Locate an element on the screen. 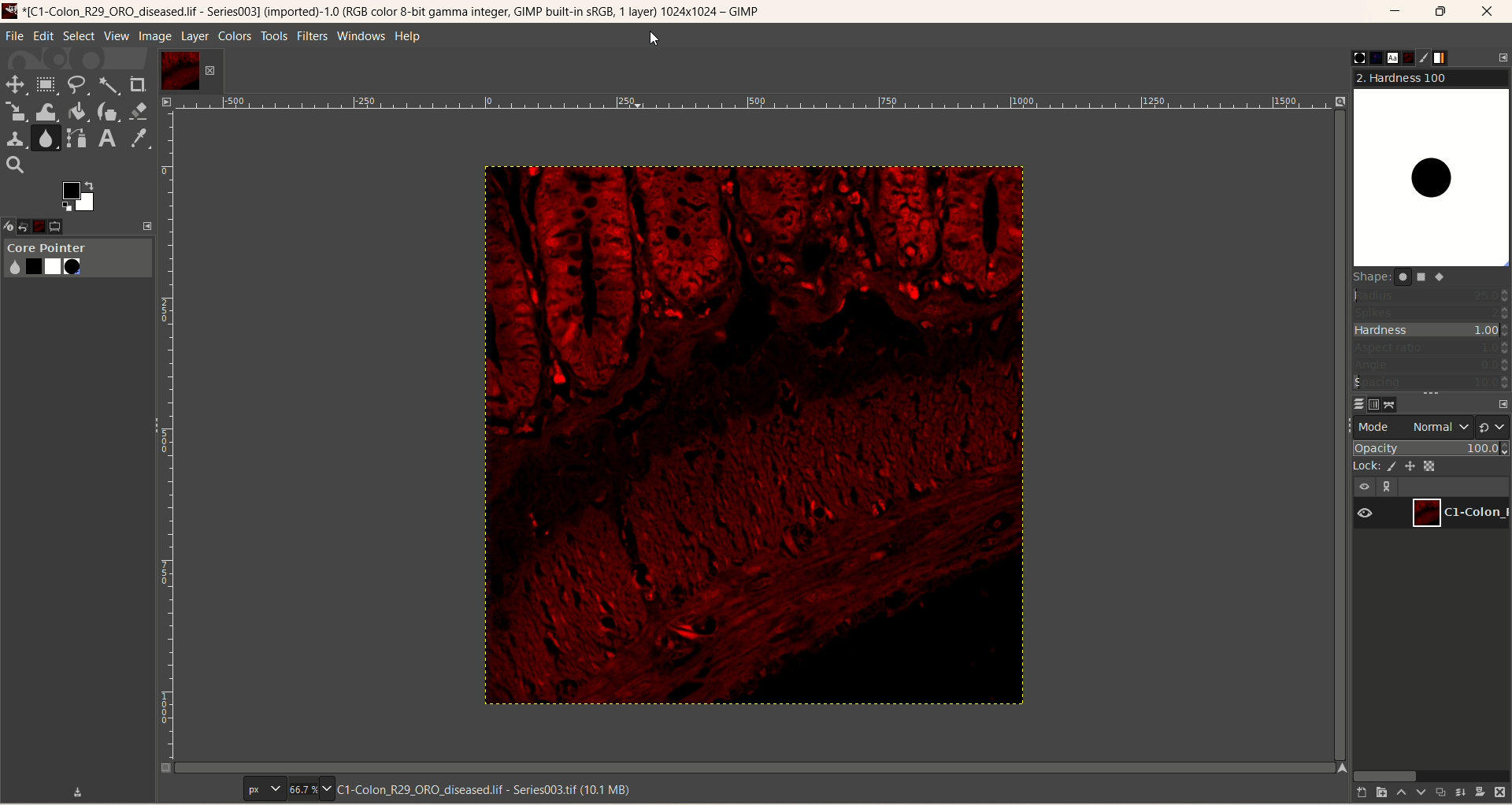 The height and width of the screenshot is (805, 1512). opacity is located at coordinates (1432, 447).